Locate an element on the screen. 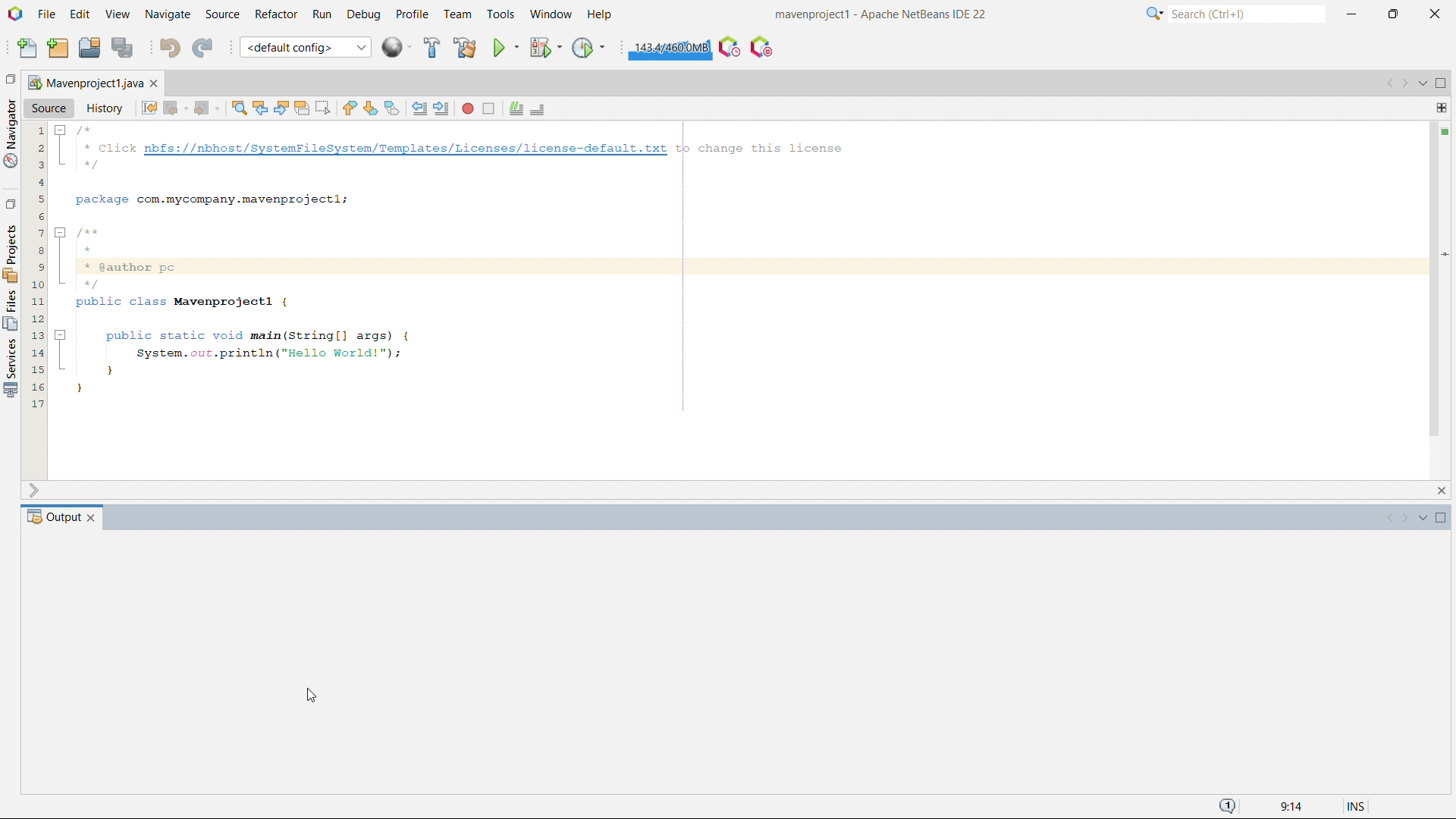 The height and width of the screenshot is (819, 1456). Close is located at coordinates (92, 517).